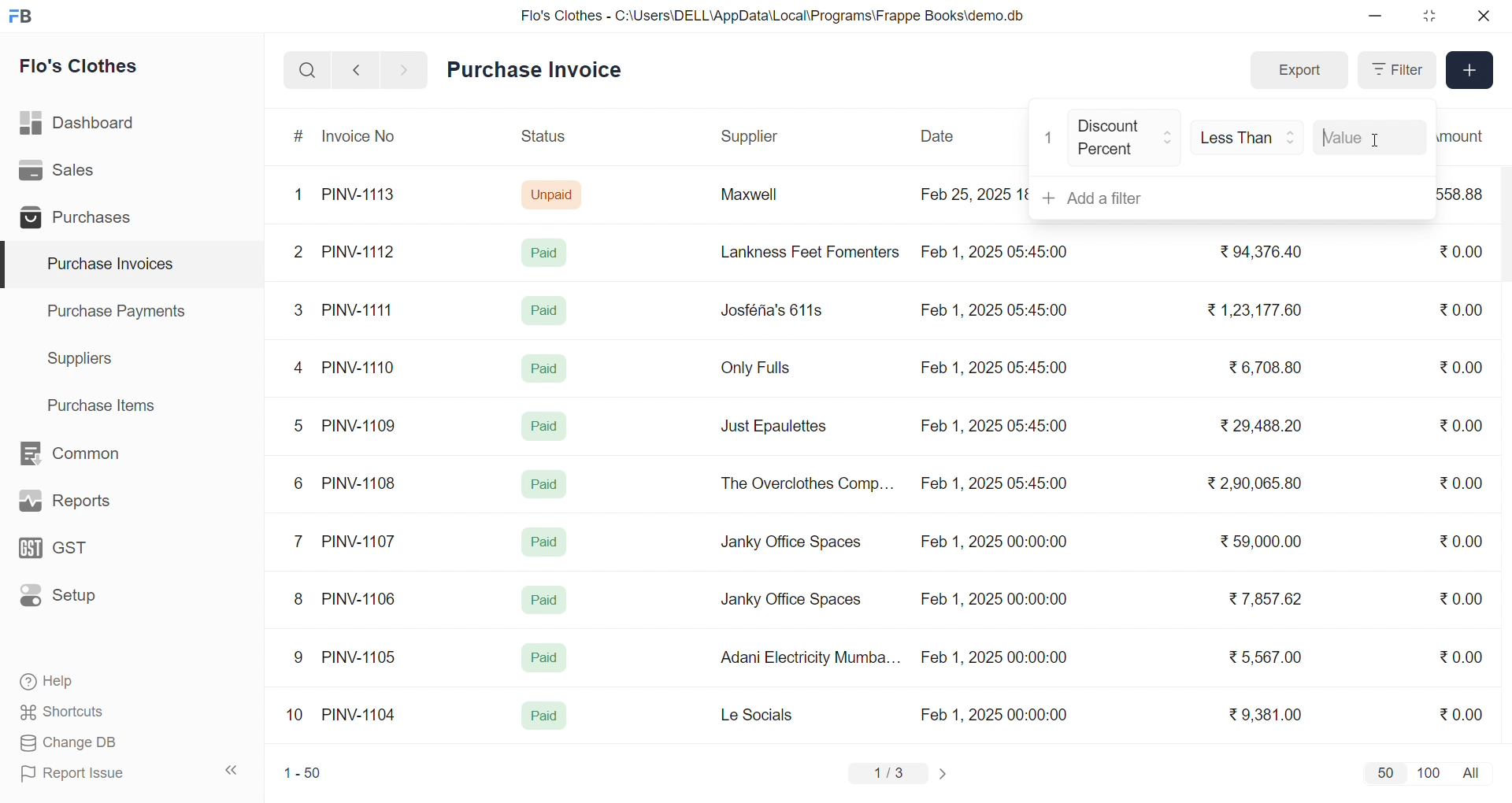  Describe the element at coordinates (298, 483) in the screenshot. I see `6` at that location.